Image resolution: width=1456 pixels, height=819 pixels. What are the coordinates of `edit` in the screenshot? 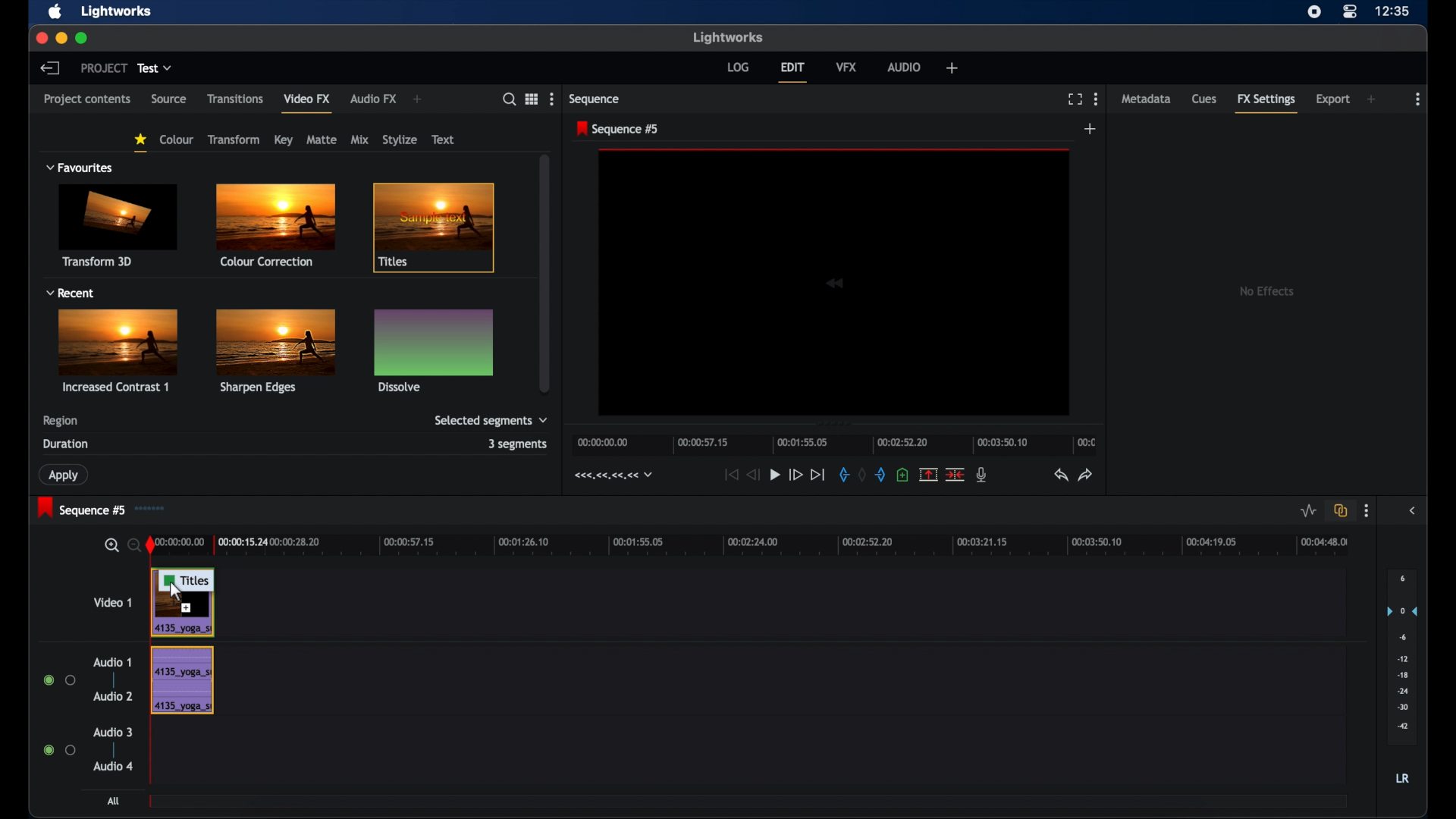 It's located at (793, 72).